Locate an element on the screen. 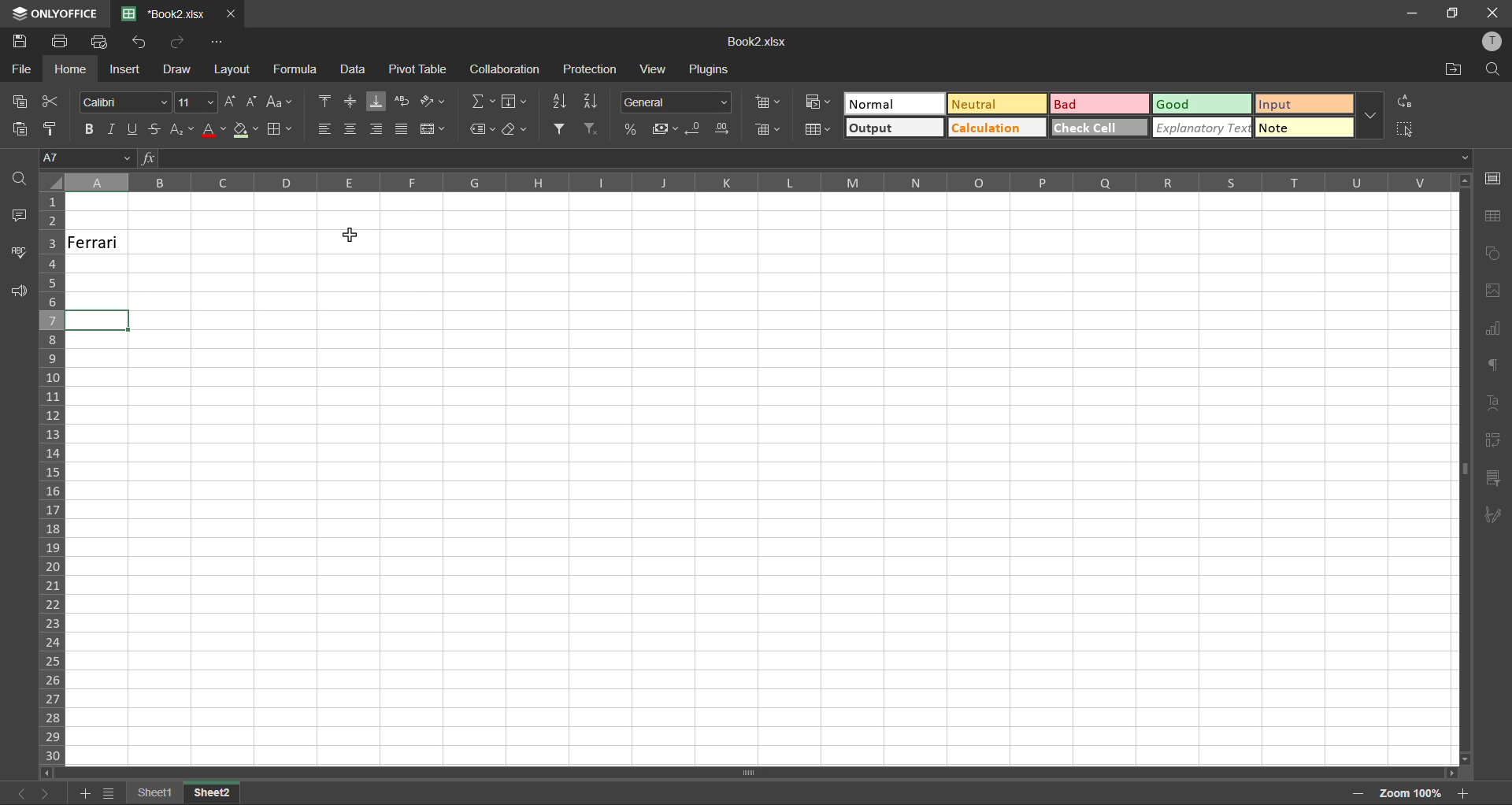  pivot table is located at coordinates (419, 70).